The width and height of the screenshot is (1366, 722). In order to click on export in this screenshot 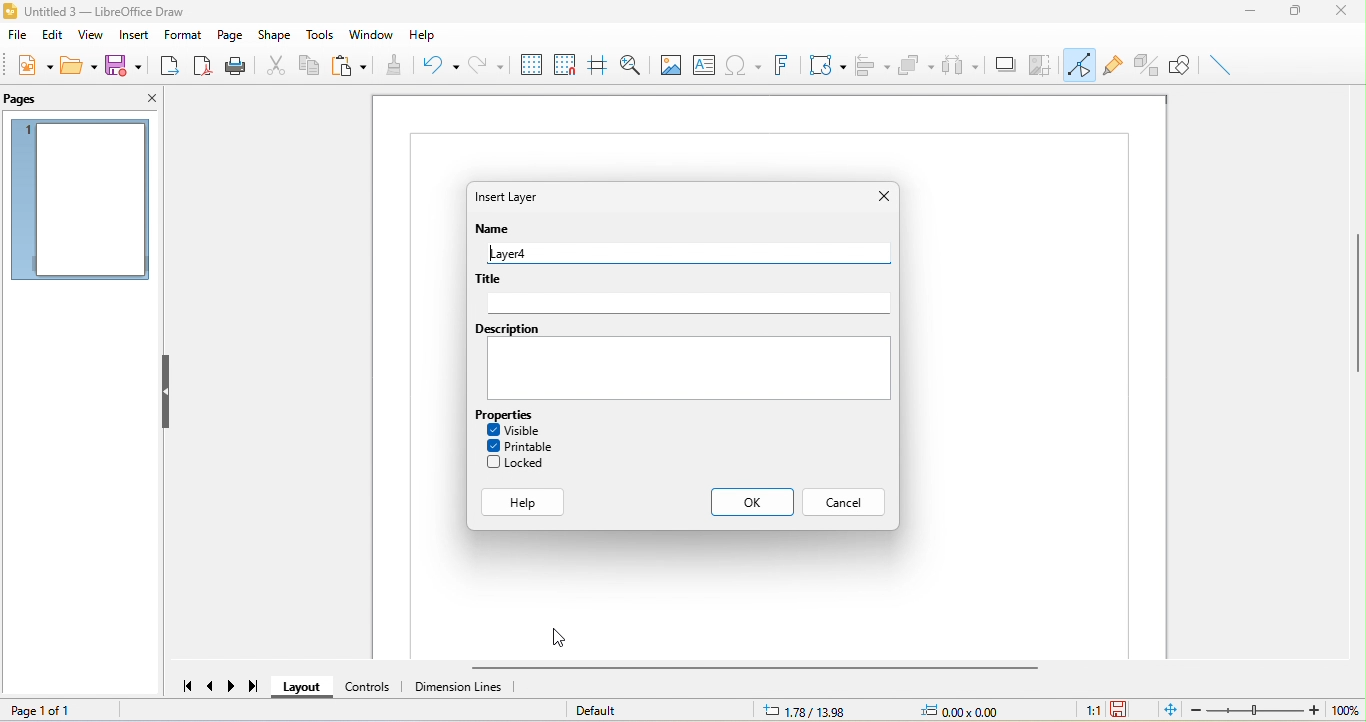, I will do `click(171, 66)`.